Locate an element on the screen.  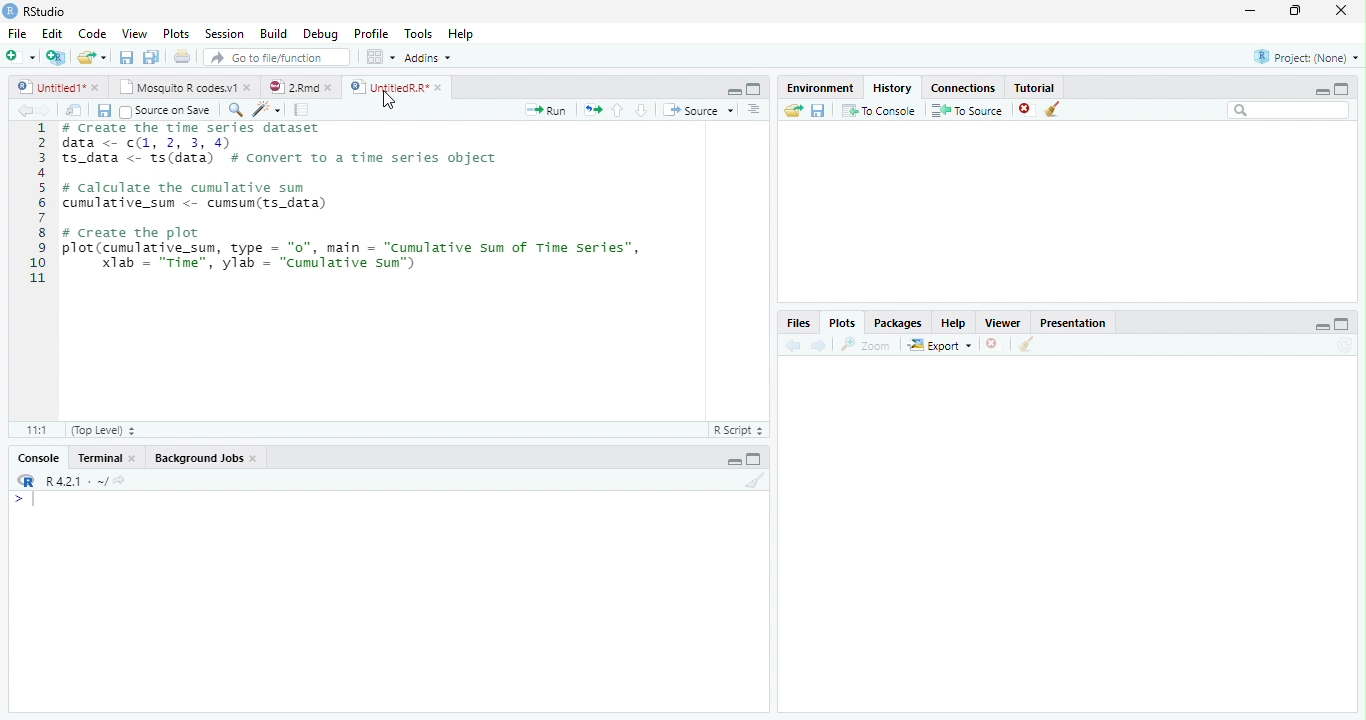
Go to file/function is located at coordinates (279, 58).